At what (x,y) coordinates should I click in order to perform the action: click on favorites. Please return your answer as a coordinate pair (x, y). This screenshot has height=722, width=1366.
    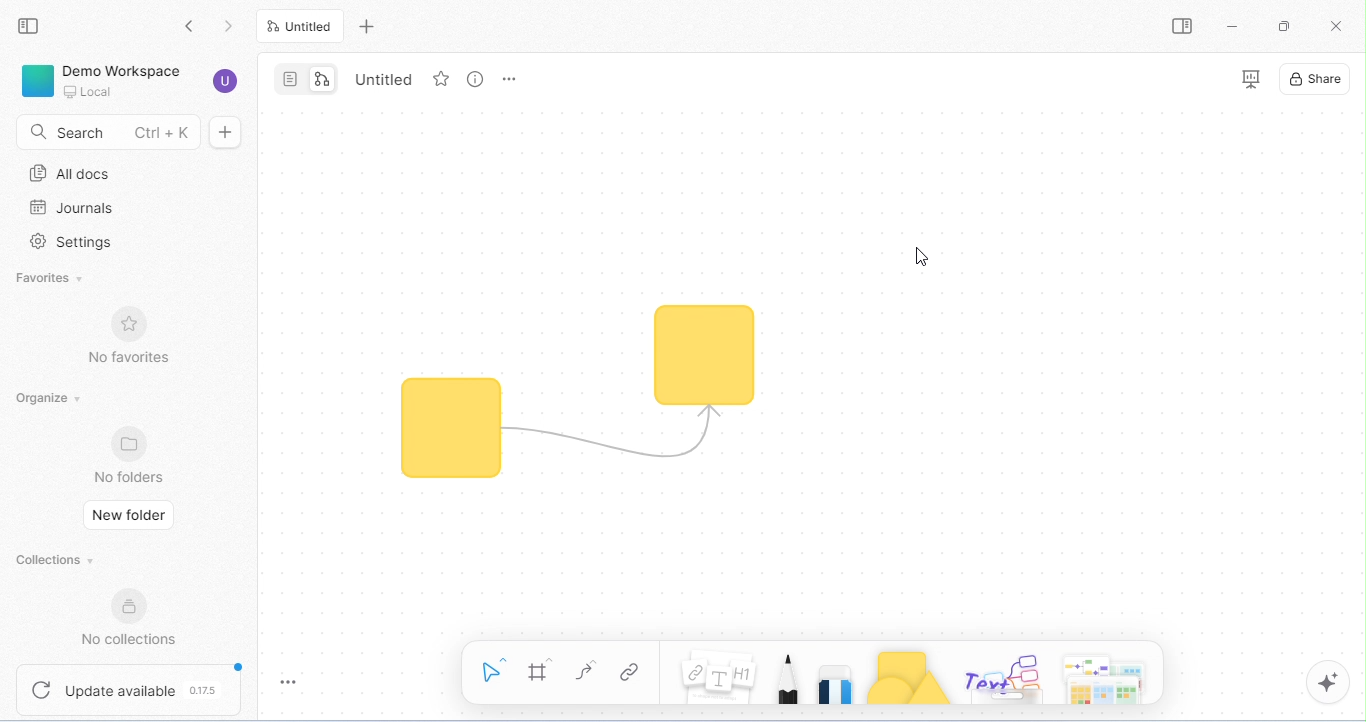
    Looking at the image, I should click on (47, 281).